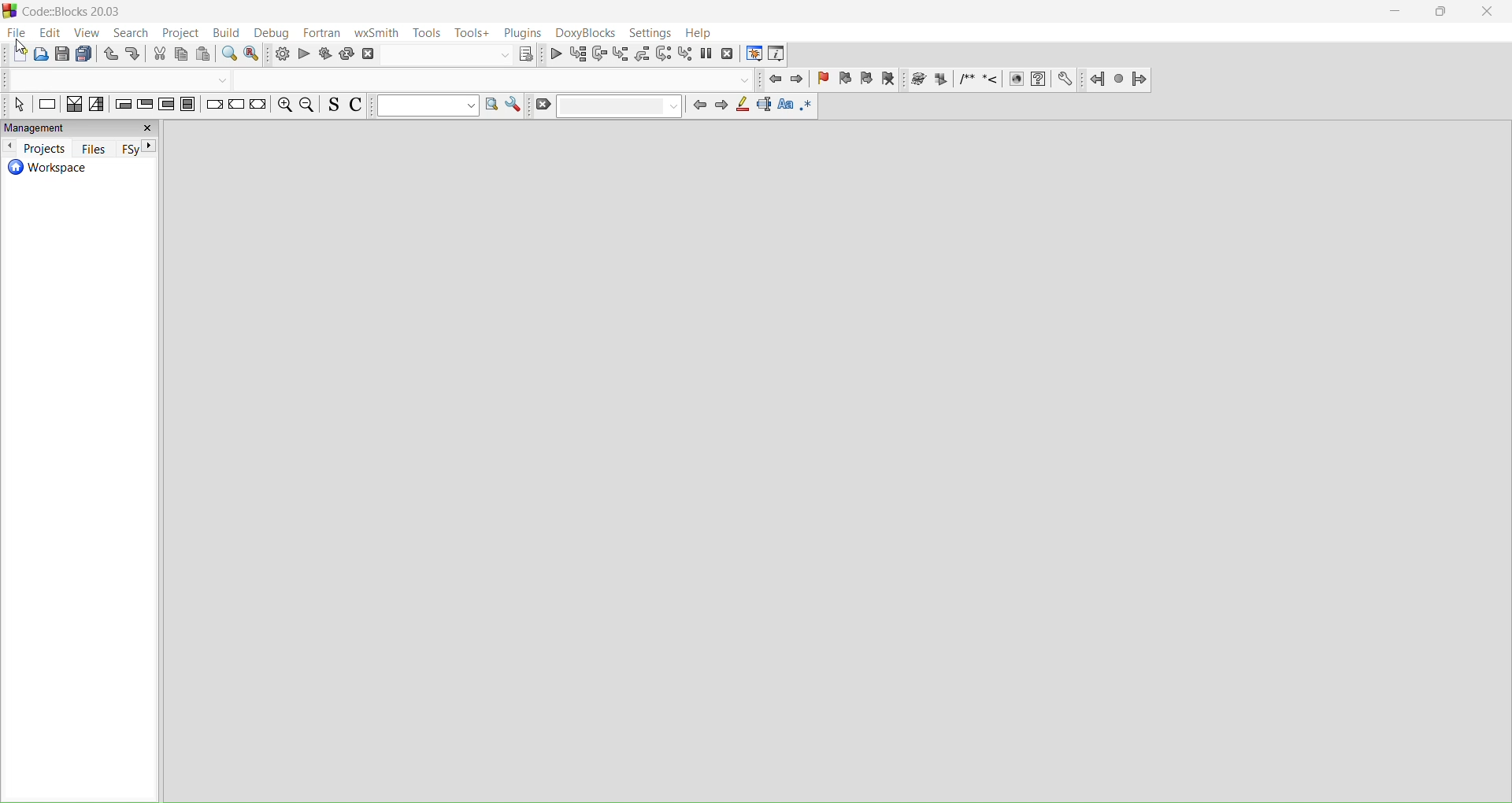 The width and height of the screenshot is (1512, 803). What do you see at coordinates (94, 147) in the screenshot?
I see `files` at bounding box center [94, 147].